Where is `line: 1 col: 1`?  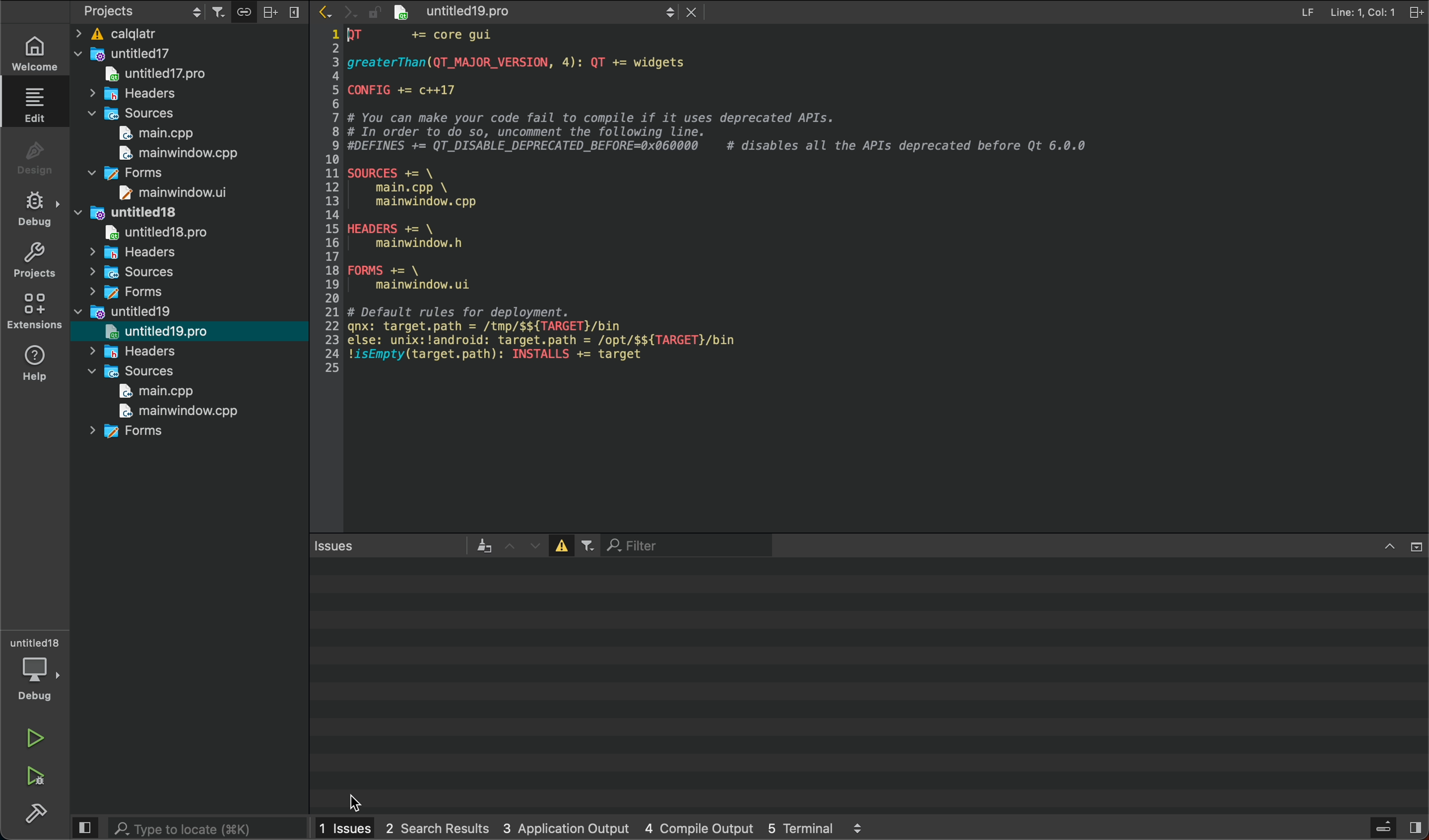
line: 1 col: 1 is located at coordinates (1361, 13).